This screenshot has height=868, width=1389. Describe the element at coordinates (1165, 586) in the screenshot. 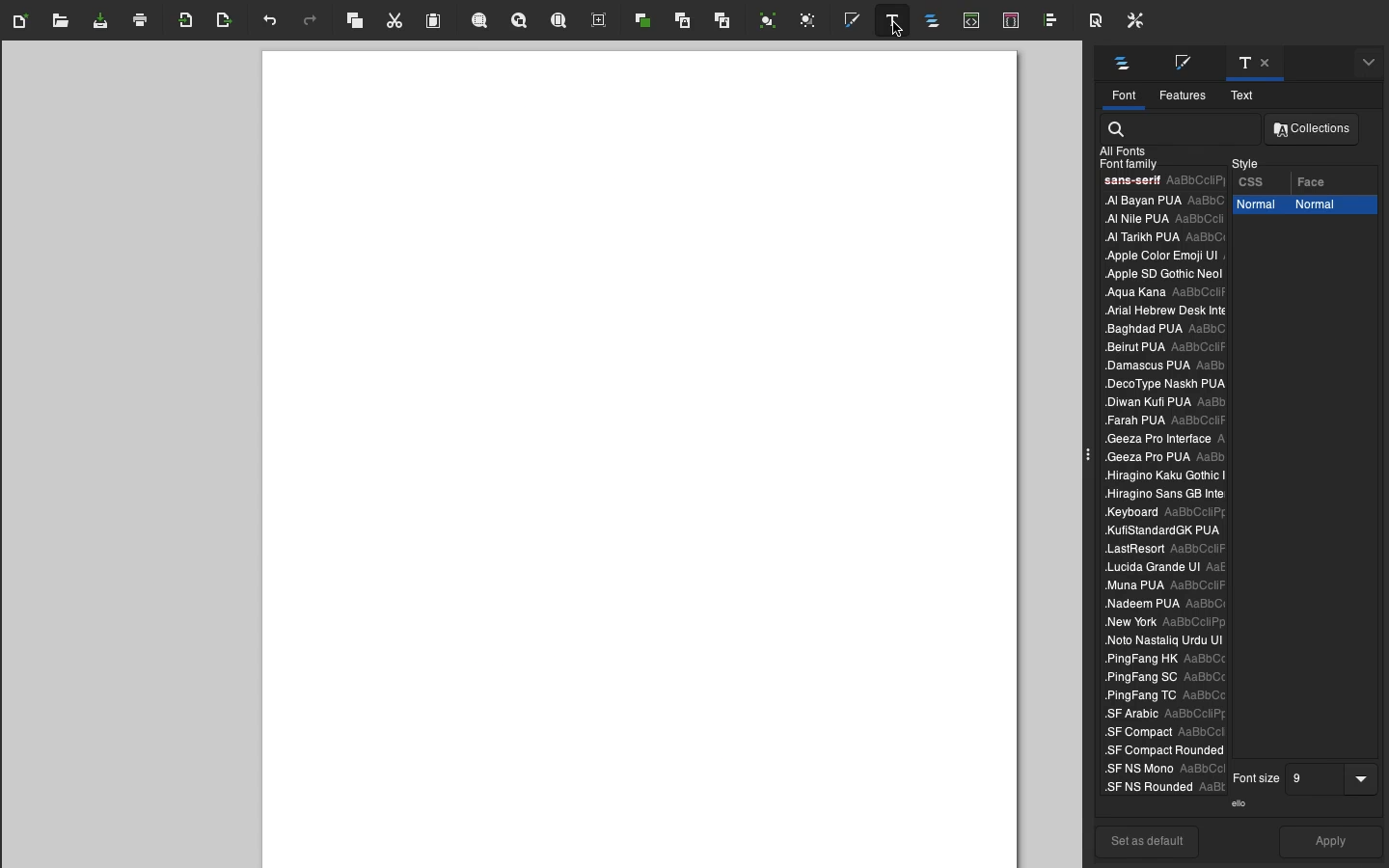

I see `.Muna PUA` at that location.